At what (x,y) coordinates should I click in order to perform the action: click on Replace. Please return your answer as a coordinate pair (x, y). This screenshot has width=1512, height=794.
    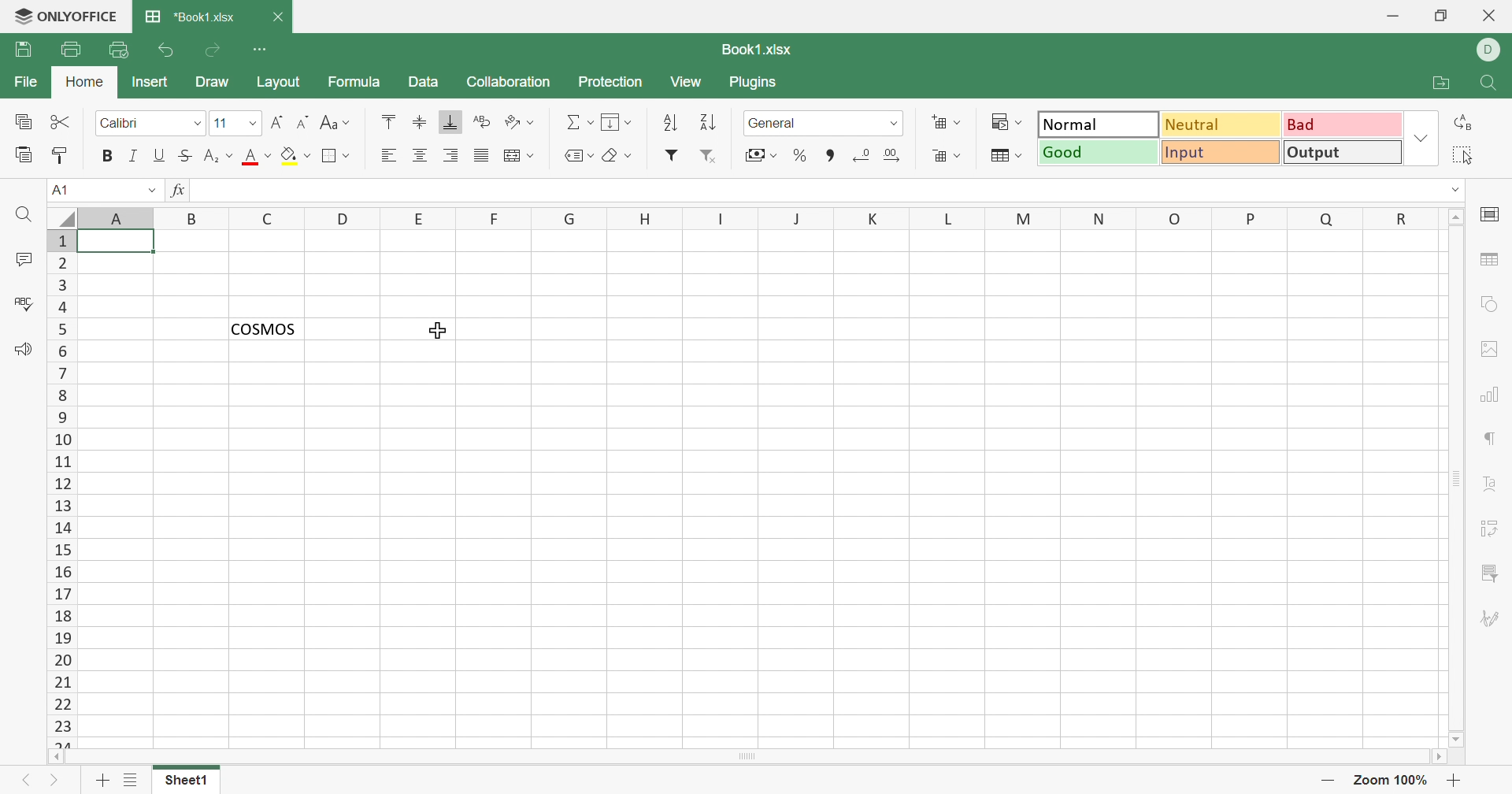
    Looking at the image, I should click on (1463, 121).